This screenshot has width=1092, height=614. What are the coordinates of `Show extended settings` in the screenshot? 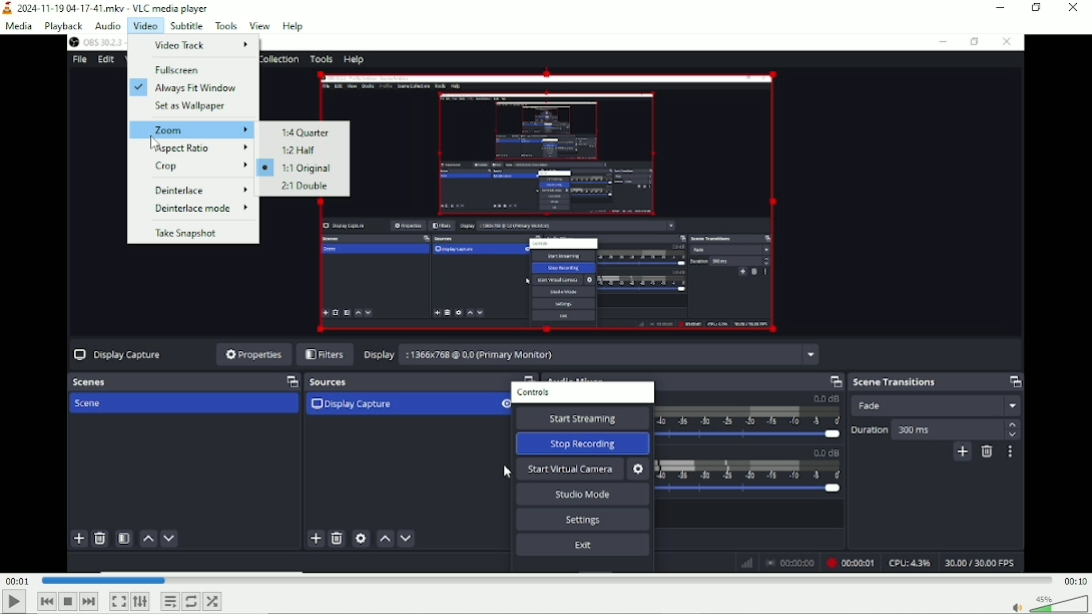 It's located at (140, 602).